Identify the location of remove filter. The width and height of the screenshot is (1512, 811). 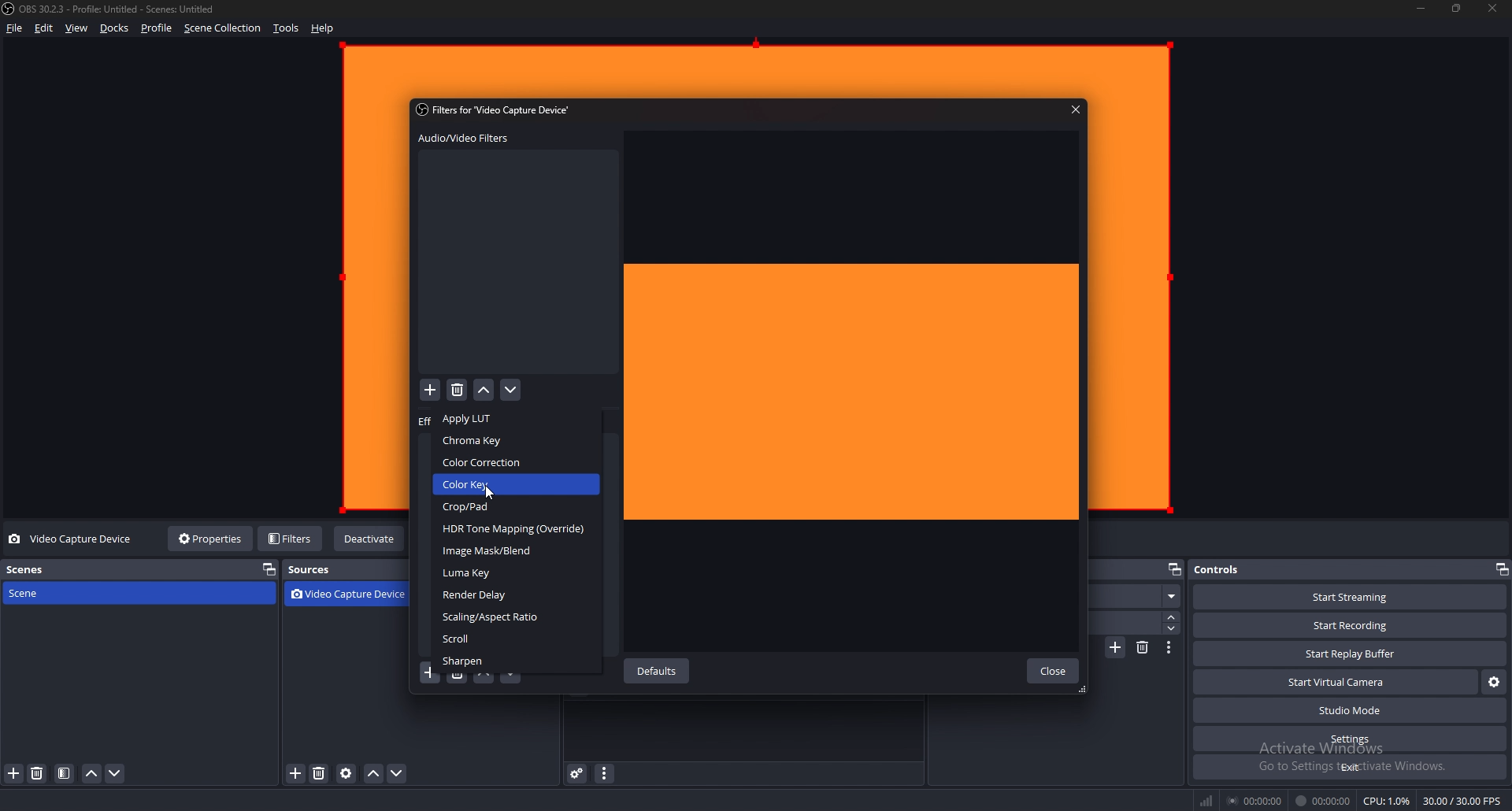
(457, 677).